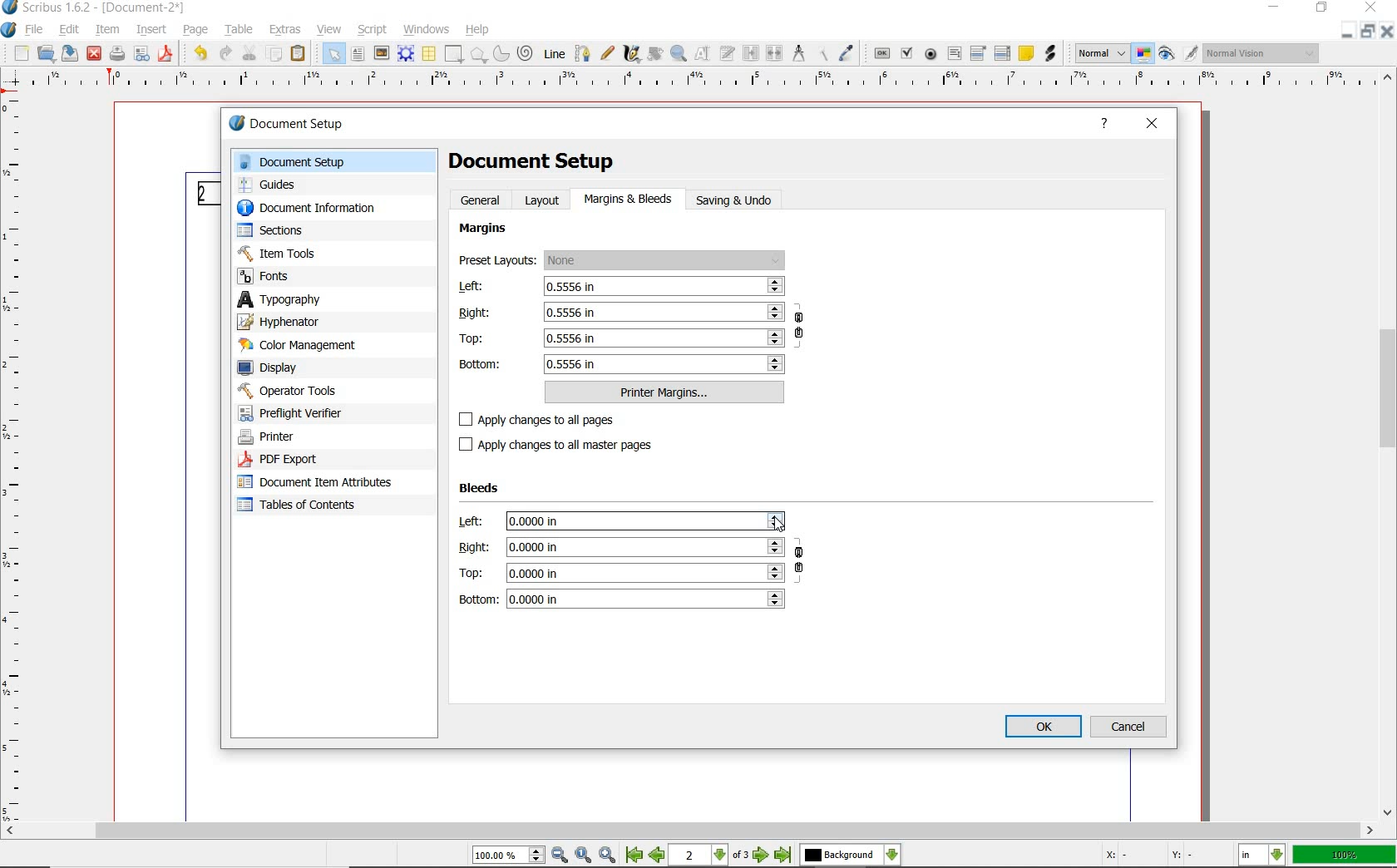 This screenshot has height=868, width=1397. What do you see at coordinates (428, 54) in the screenshot?
I see `table` at bounding box center [428, 54].